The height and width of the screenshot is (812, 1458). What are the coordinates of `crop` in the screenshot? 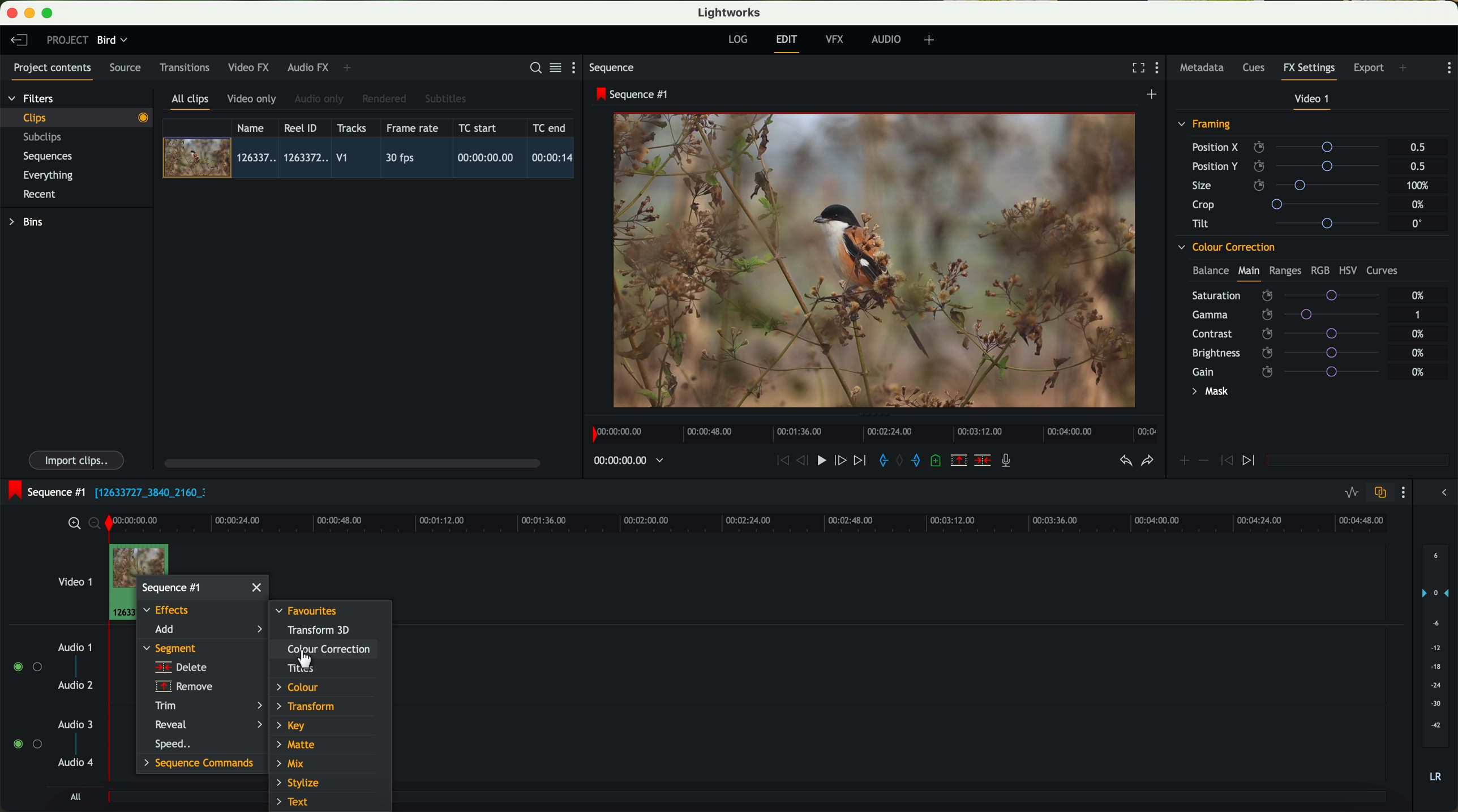 It's located at (1290, 204).